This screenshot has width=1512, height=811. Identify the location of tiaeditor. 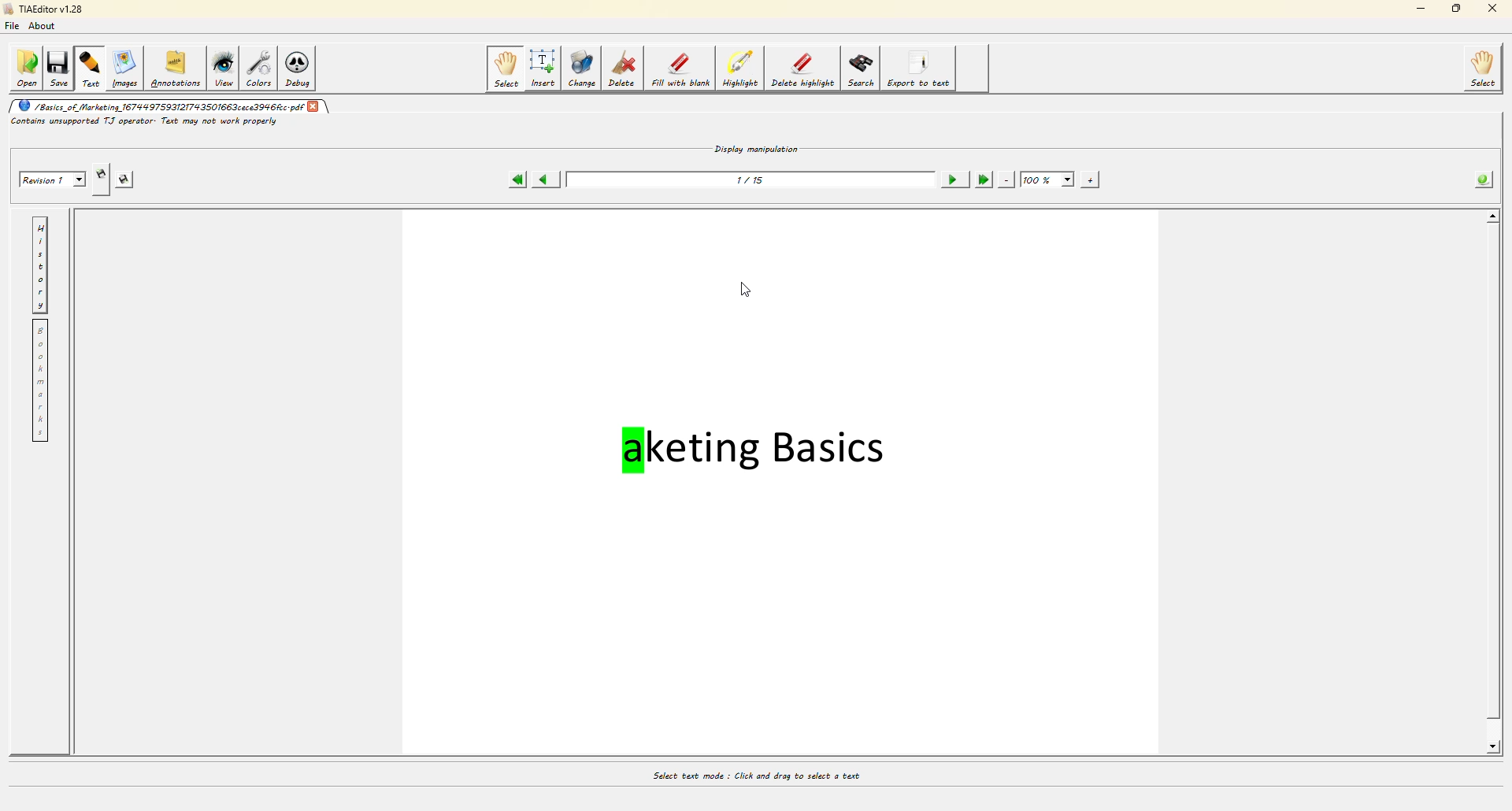
(49, 9).